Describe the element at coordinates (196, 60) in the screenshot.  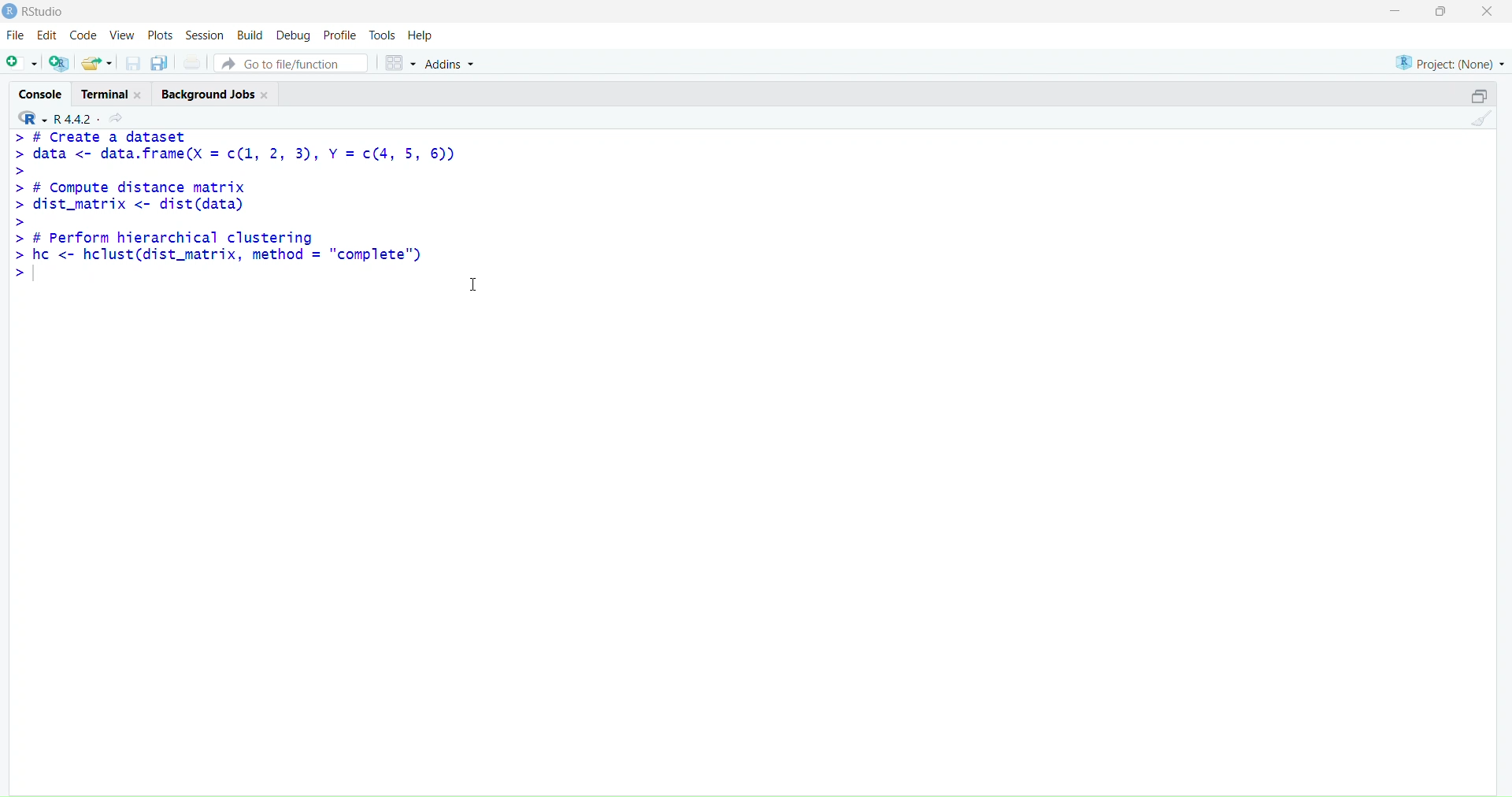
I see `Save all open documents (Ctrl + Alt + S)` at that location.